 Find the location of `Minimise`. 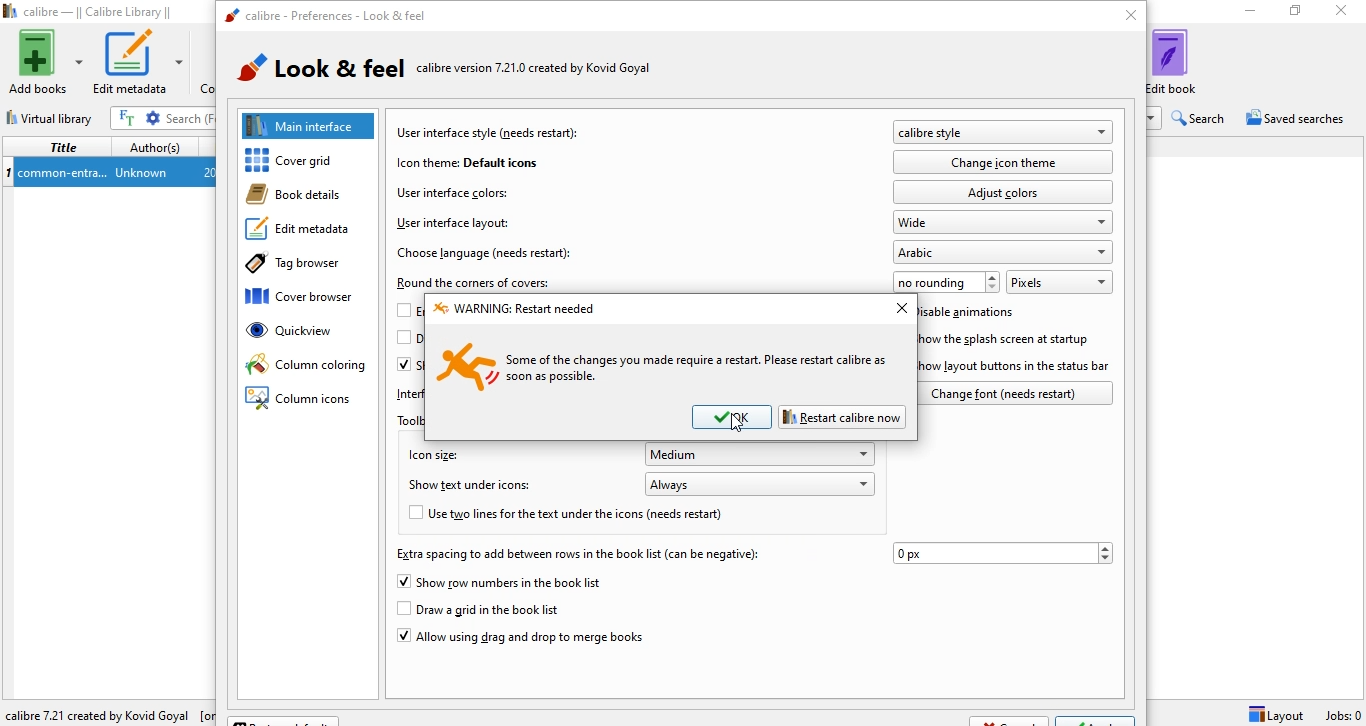

Minimise is located at coordinates (1245, 12).